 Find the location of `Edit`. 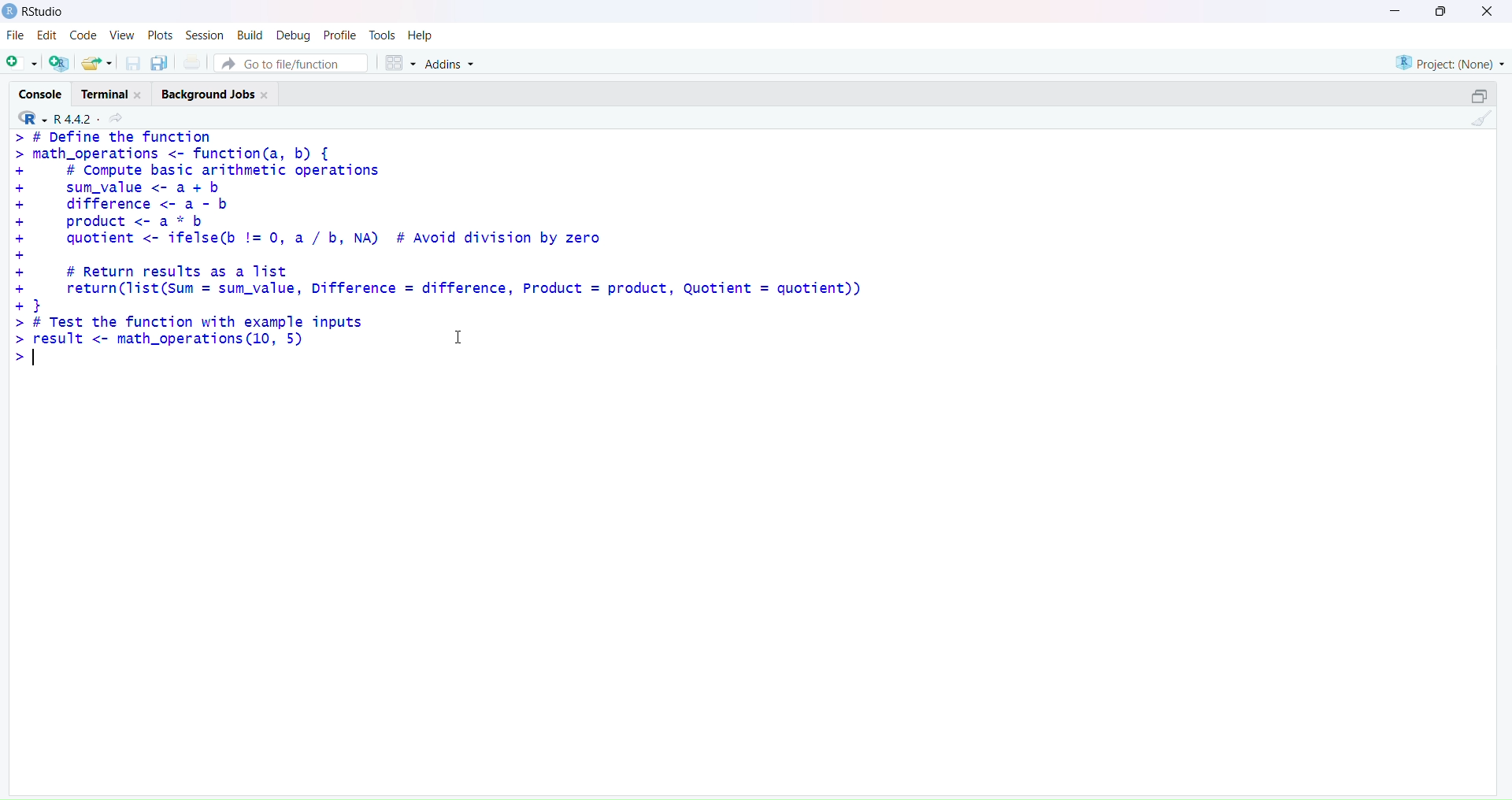

Edit is located at coordinates (43, 37).